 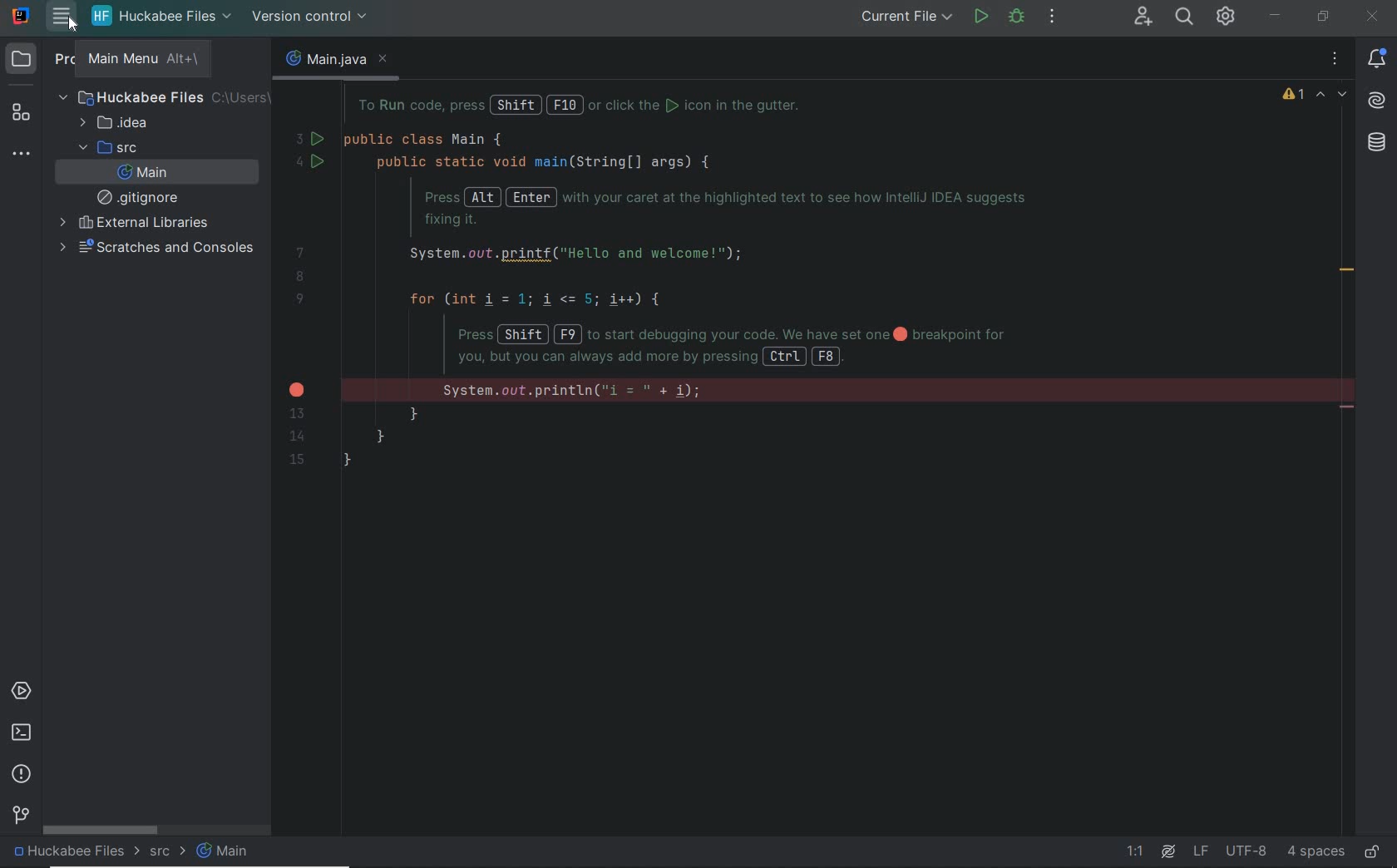 I want to click on go to line, so click(x=1138, y=852).